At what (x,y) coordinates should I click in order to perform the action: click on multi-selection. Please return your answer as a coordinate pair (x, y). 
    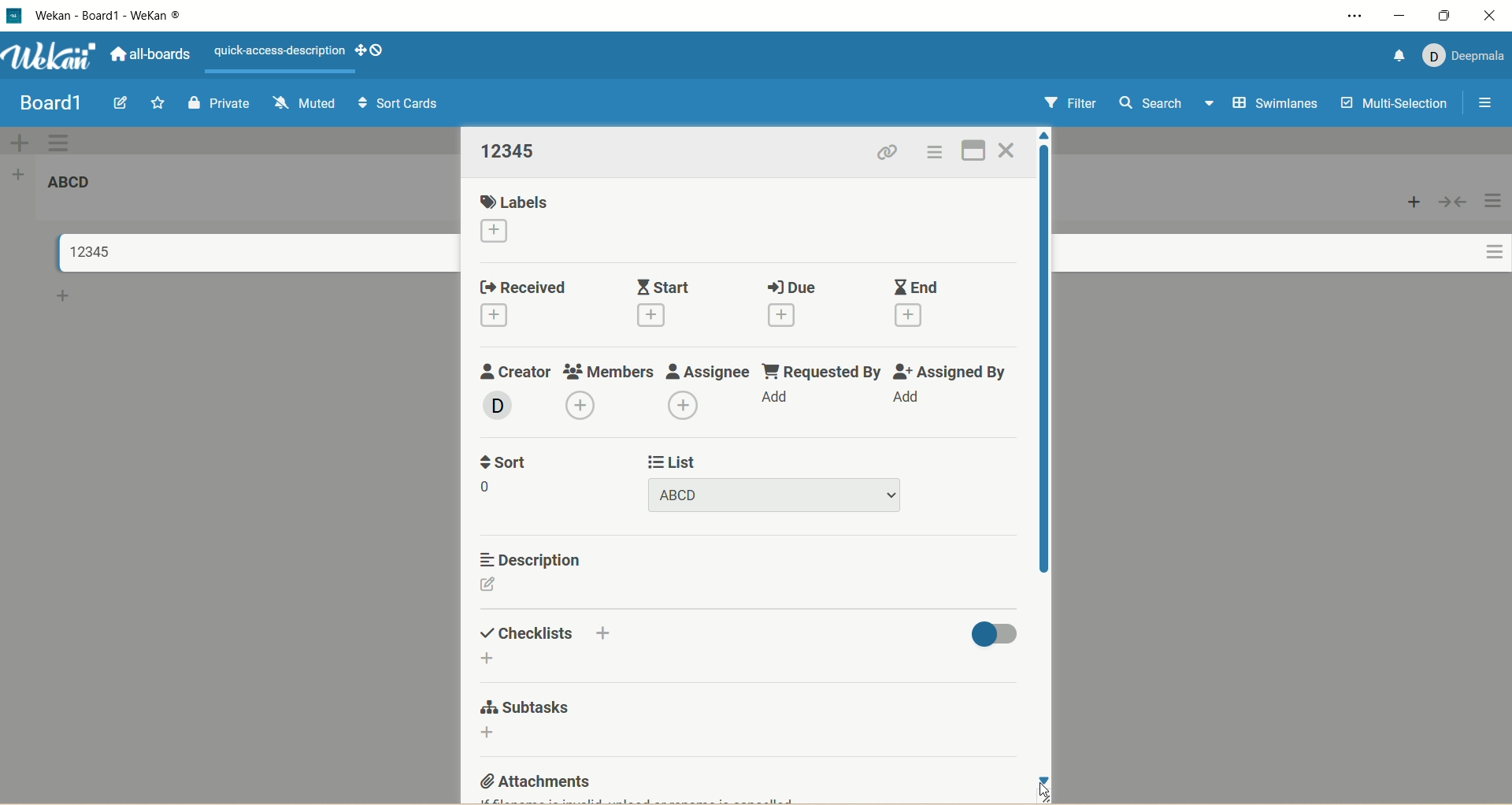
    Looking at the image, I should click on (1392, 104).